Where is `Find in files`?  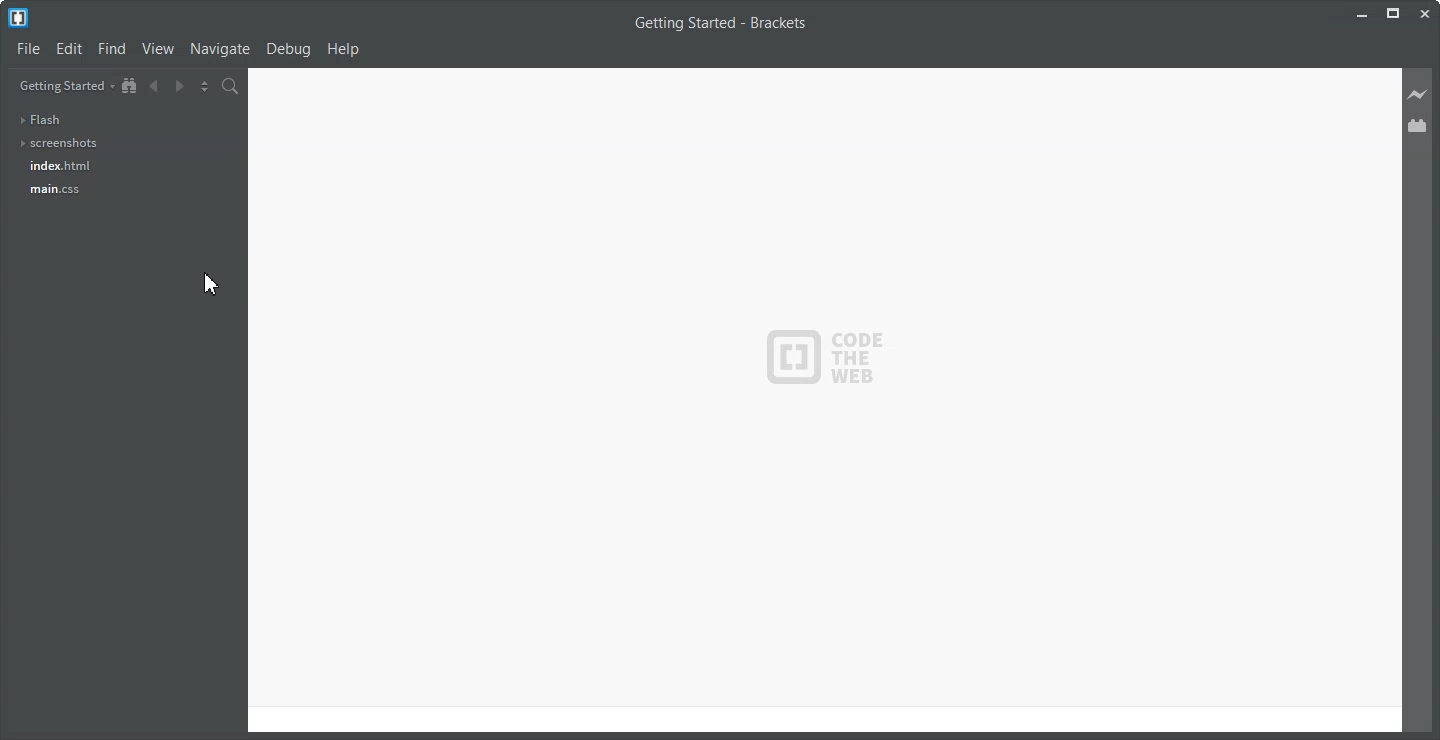 Find in files is located at coordinates (231, 86).